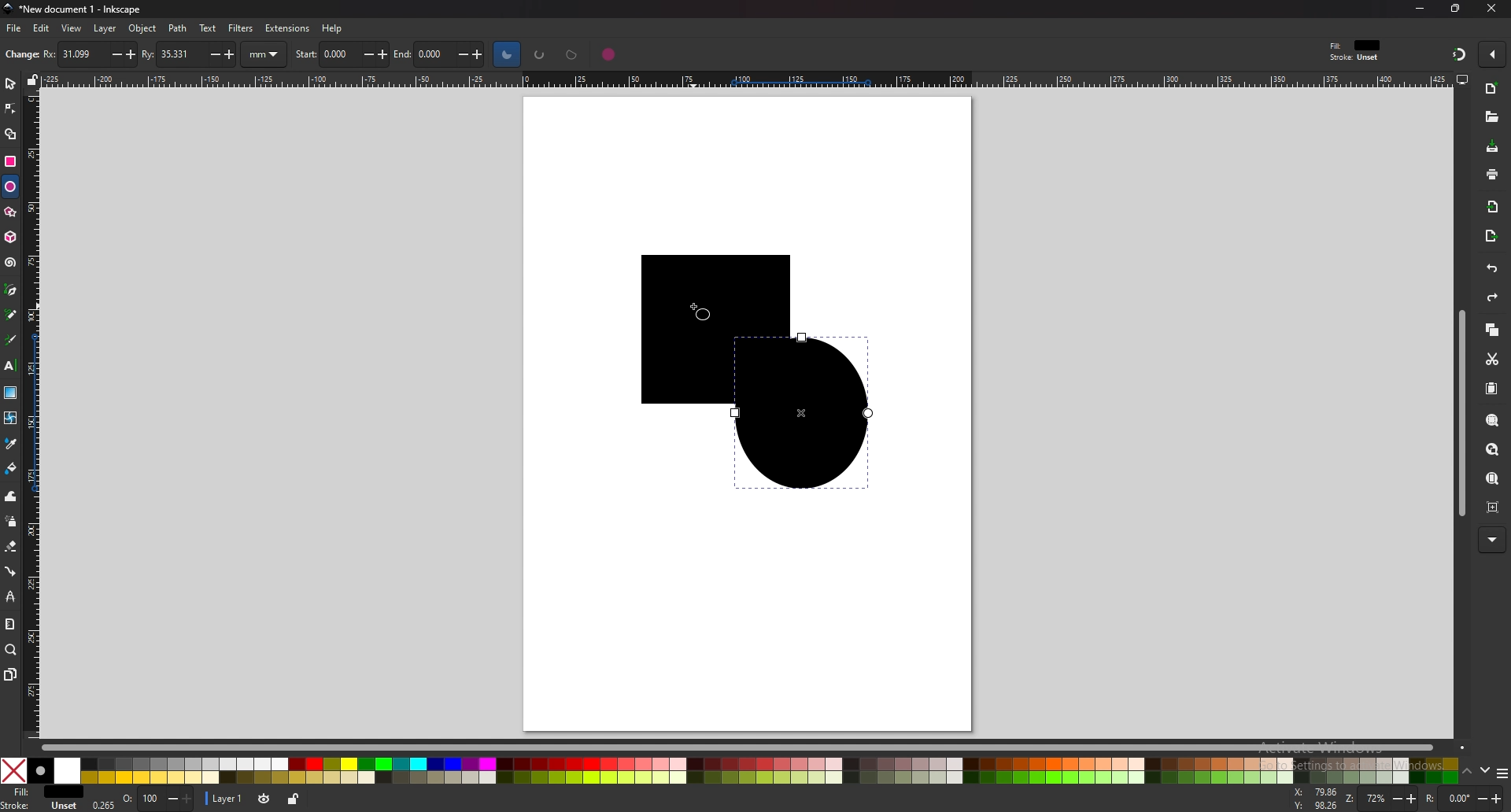 The height and width of the screenshot is (812, 1511). I want to click on pencil, so click(12, 314).